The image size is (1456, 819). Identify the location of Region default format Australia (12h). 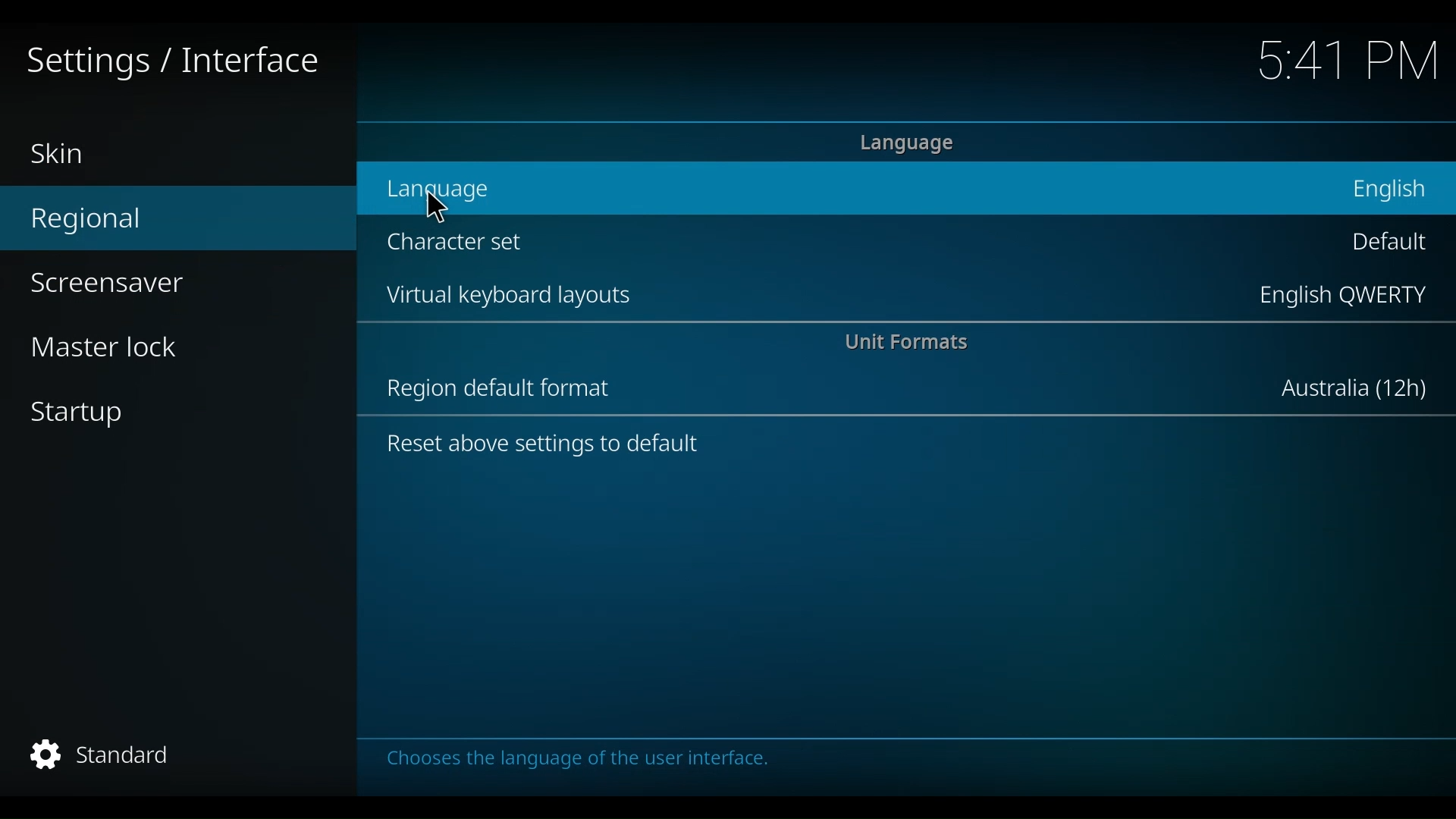
(895, 390).